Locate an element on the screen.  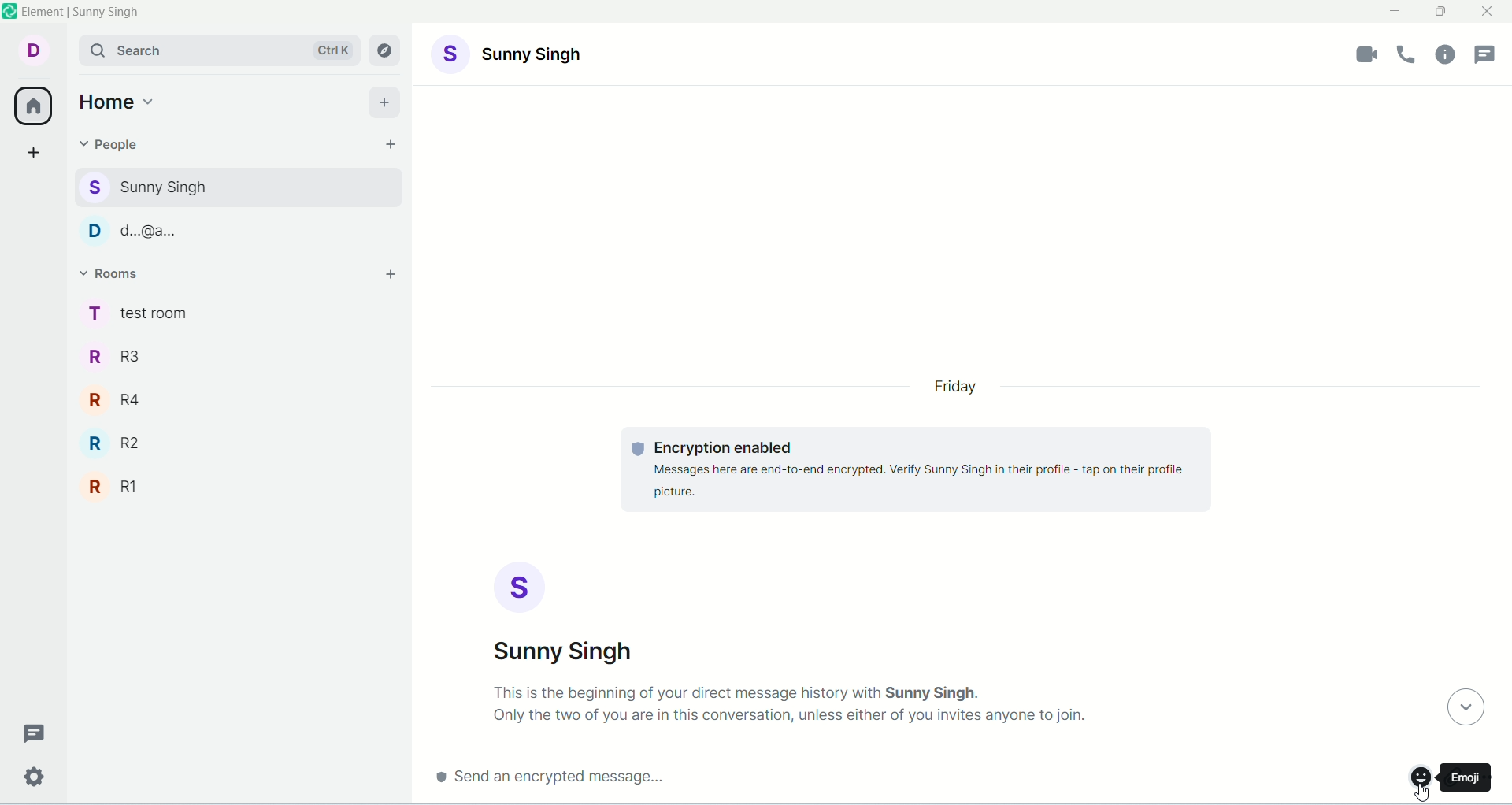
search is located at coordinates (218, 50).